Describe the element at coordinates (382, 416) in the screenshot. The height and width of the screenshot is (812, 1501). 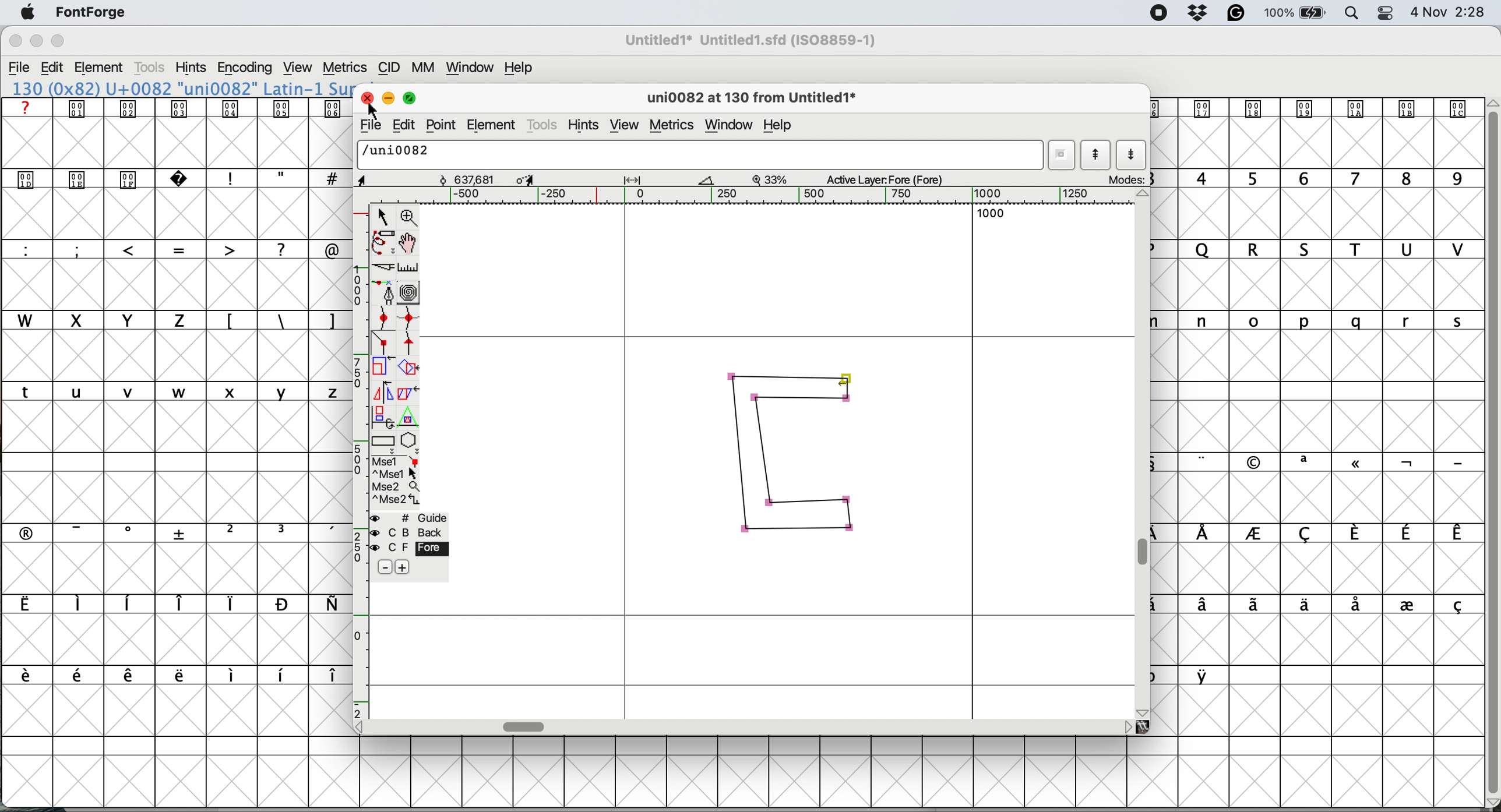
I see `rotate the selection in 3d and project back to plane` at that location.